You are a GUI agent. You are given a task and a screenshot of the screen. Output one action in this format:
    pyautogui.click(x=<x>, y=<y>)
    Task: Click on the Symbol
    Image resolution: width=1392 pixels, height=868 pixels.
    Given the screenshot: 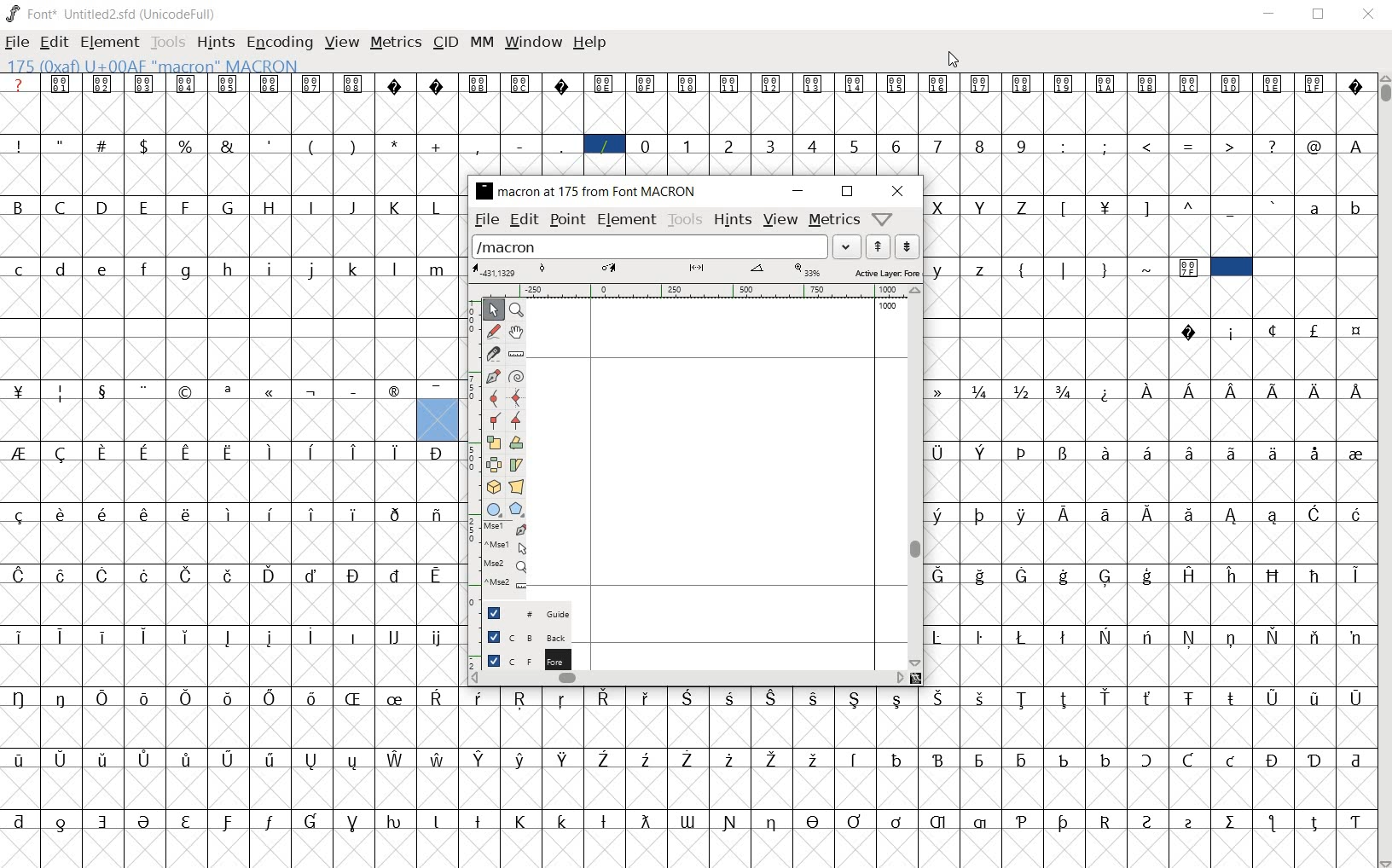 What is the action you would take?
    pyautogui.click(x=1147, y=451)
    